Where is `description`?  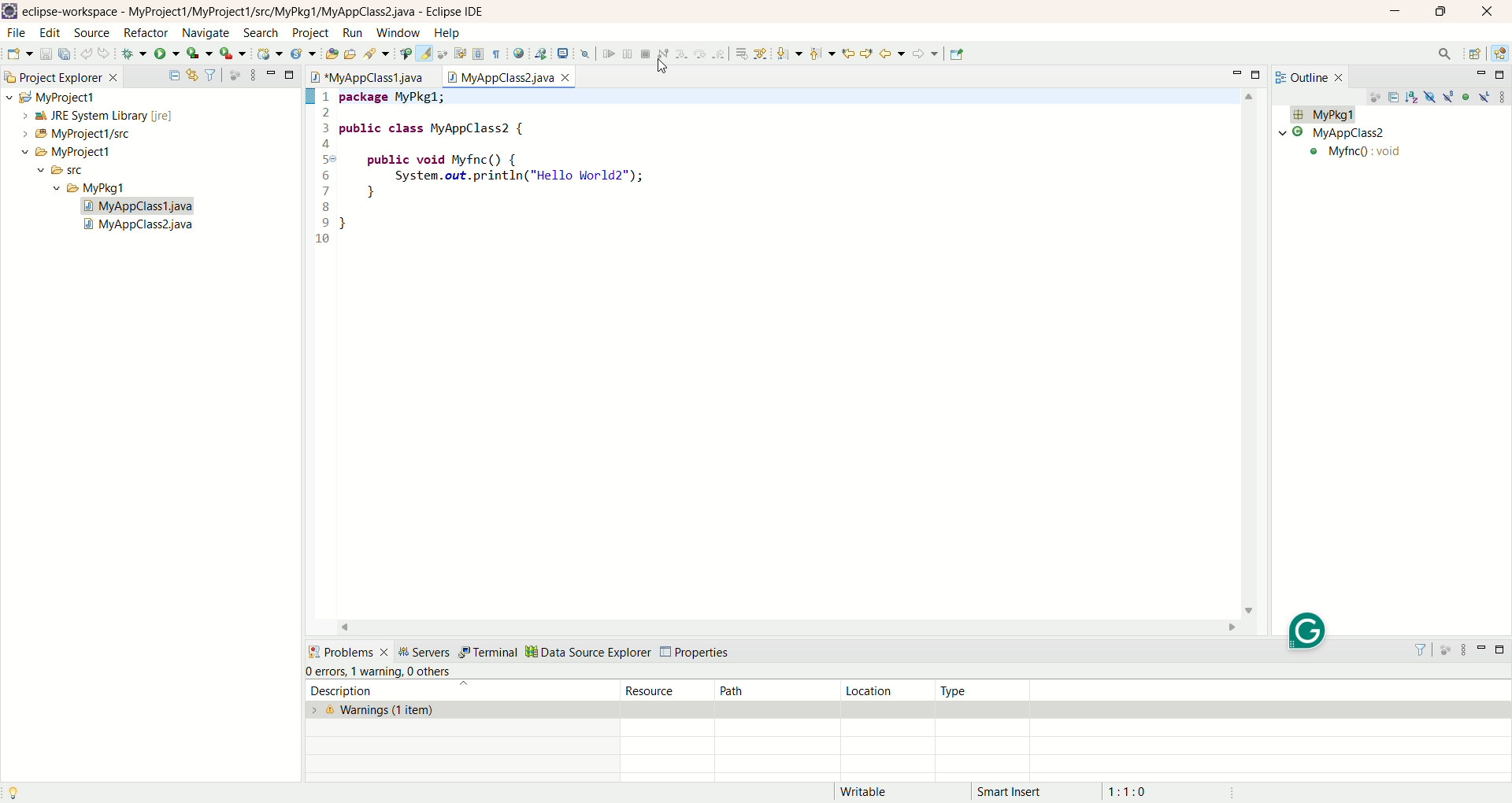
description is located at coordinates (452, 690).